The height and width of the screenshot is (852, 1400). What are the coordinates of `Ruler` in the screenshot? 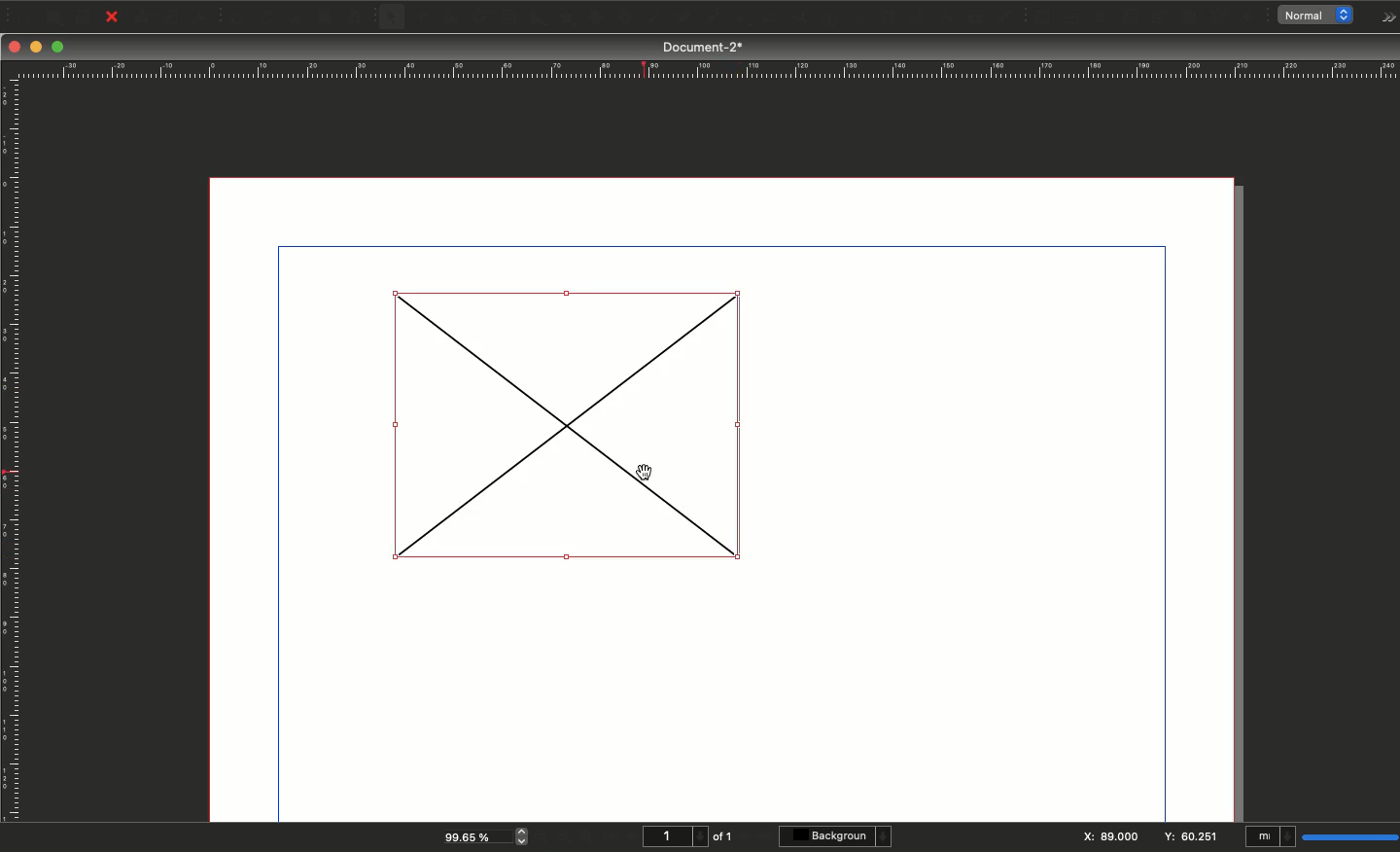 It's located at (705, 70).